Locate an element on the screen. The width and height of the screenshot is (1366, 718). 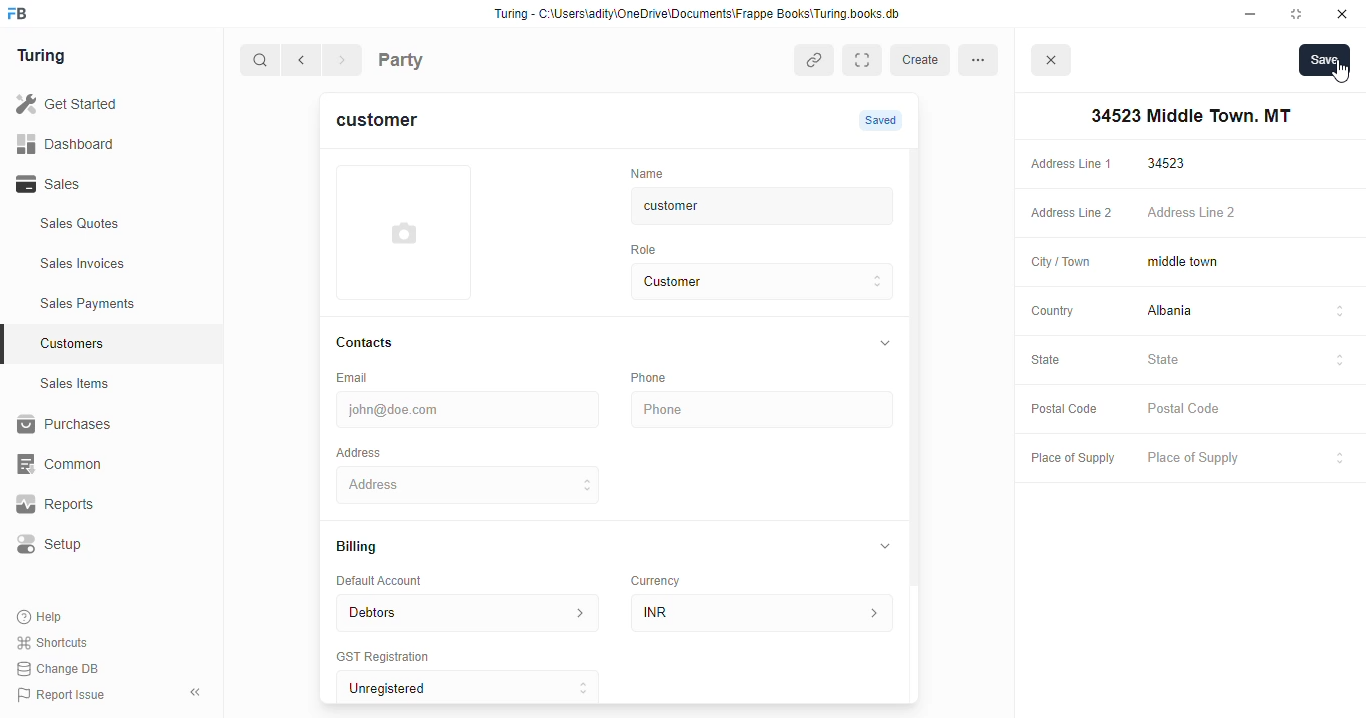
Save is located at coordinates (1324, 59).